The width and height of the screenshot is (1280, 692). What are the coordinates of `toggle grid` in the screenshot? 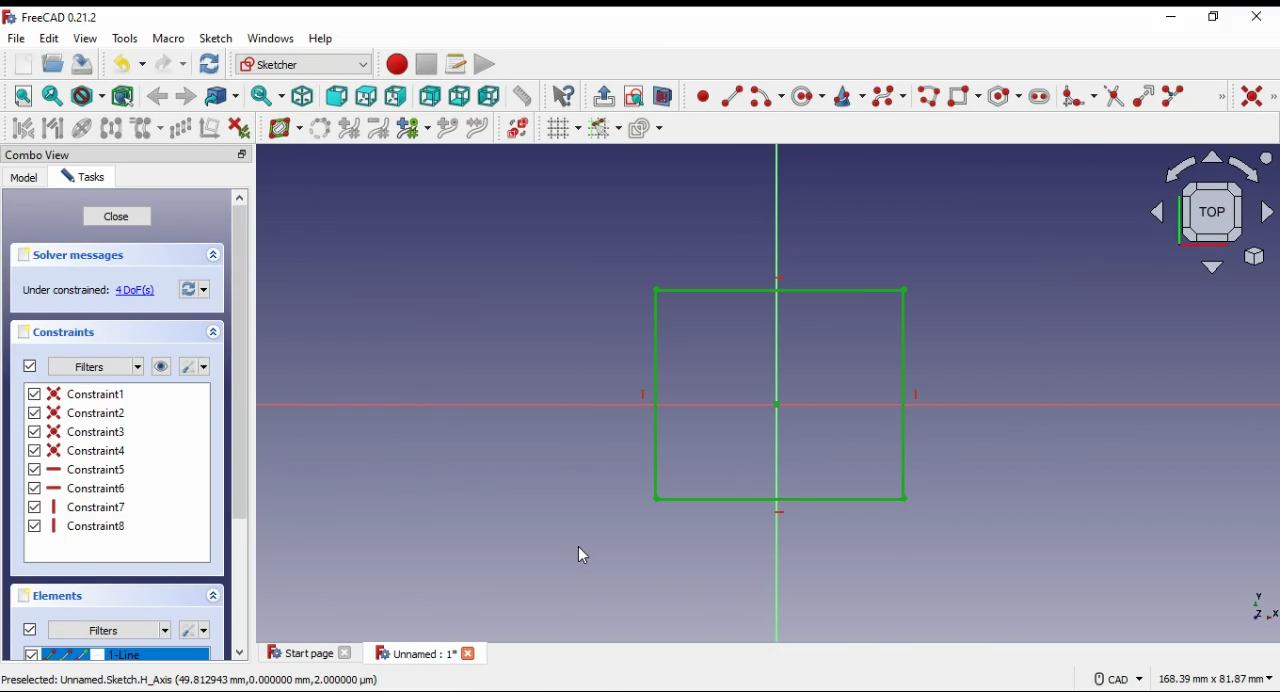 It's located at (563, 128).